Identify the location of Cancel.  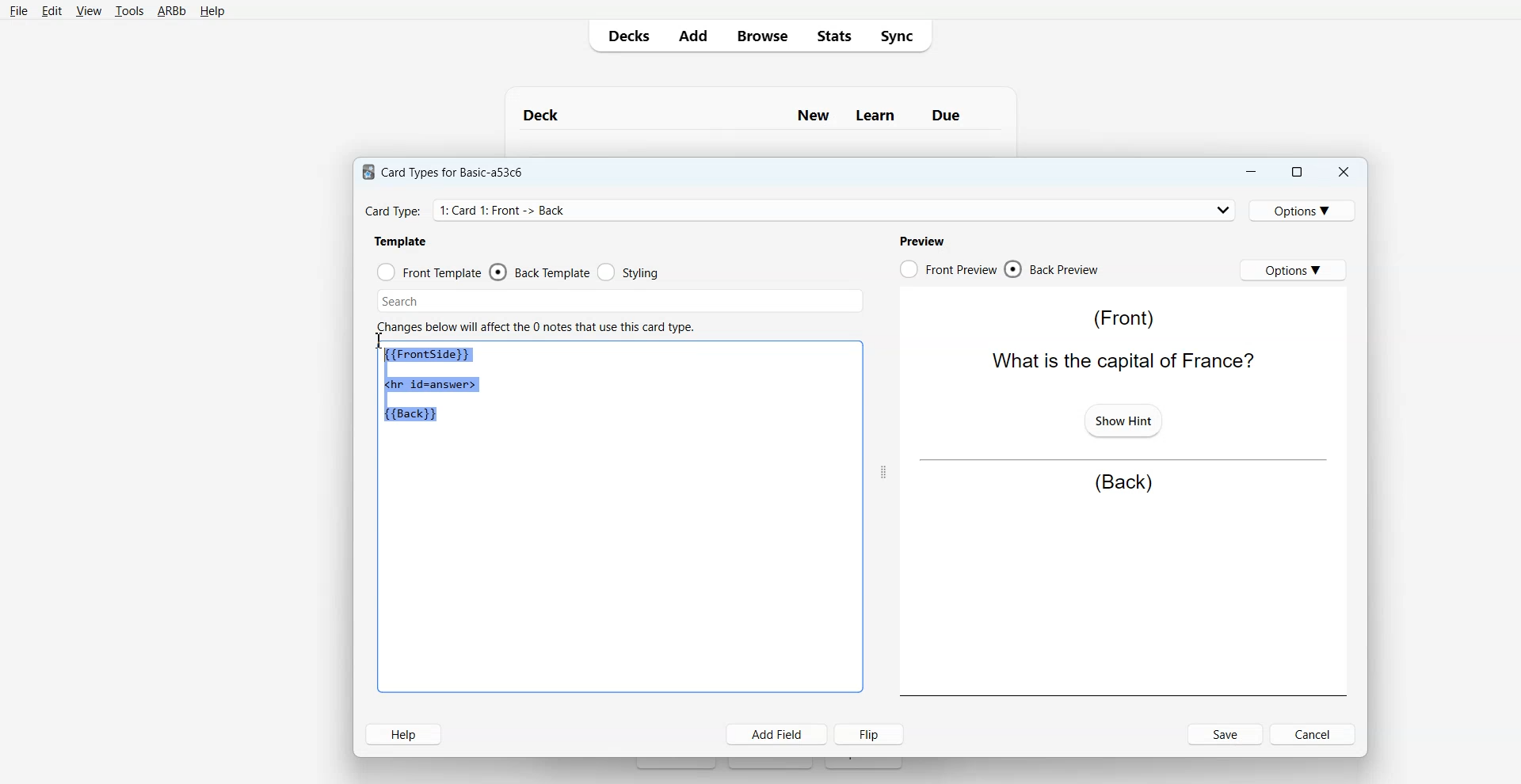
(1315, 733).